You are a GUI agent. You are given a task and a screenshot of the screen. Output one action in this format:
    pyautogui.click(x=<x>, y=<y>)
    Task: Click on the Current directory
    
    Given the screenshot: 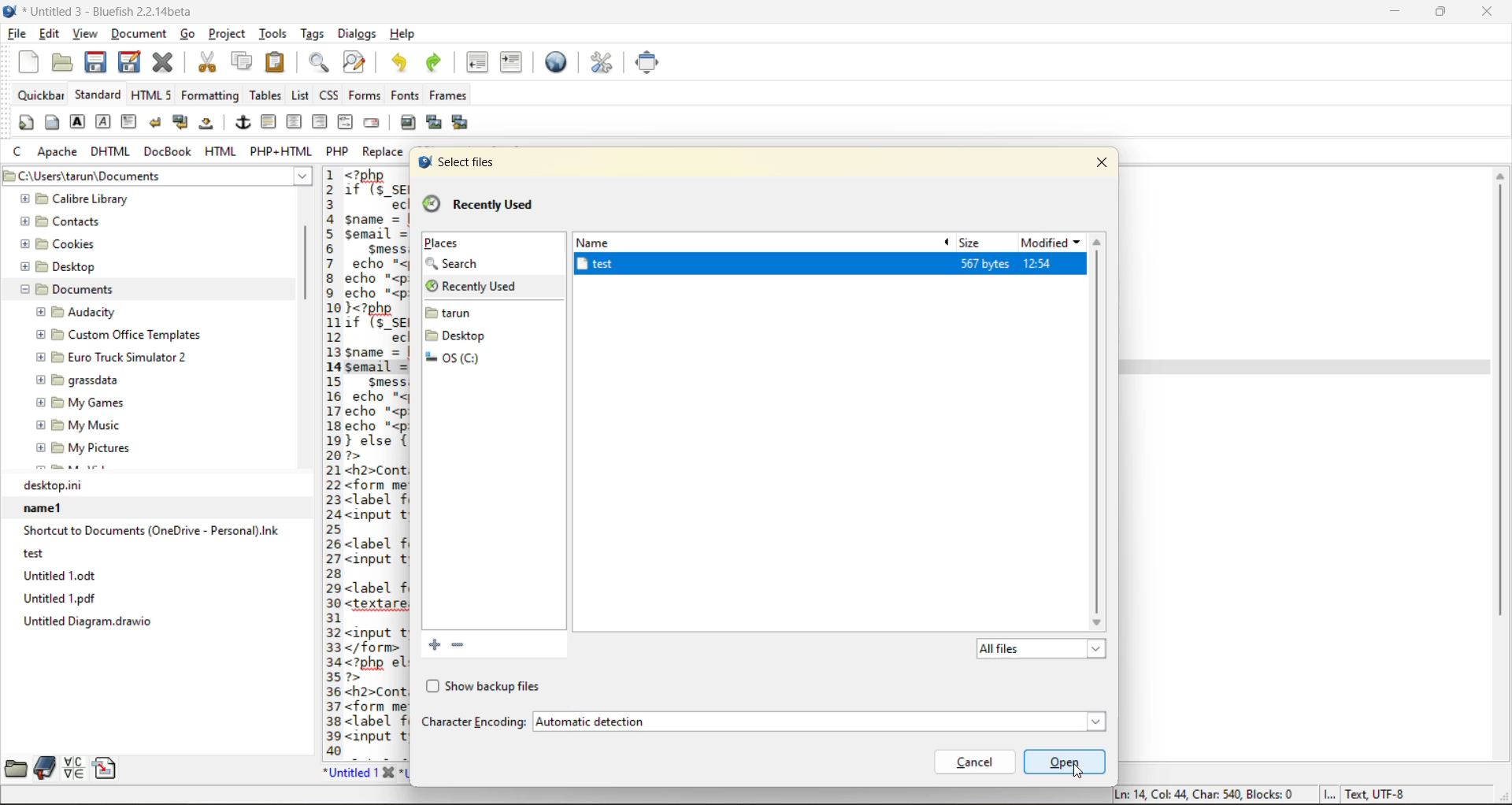 What is the action you would take?
    pyautogui.click(x=215, y=176)
    